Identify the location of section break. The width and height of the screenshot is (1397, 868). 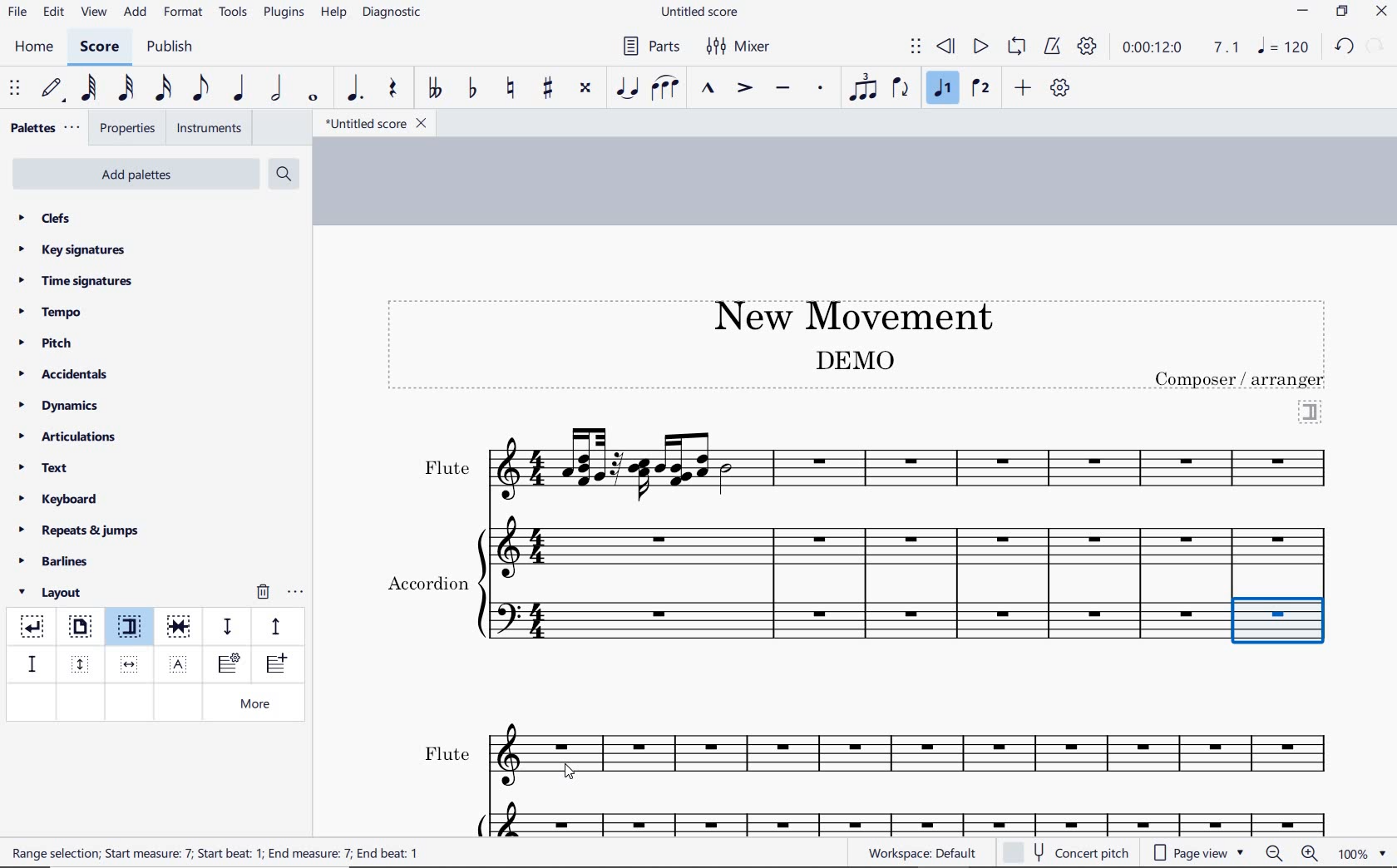
(1311, 410).